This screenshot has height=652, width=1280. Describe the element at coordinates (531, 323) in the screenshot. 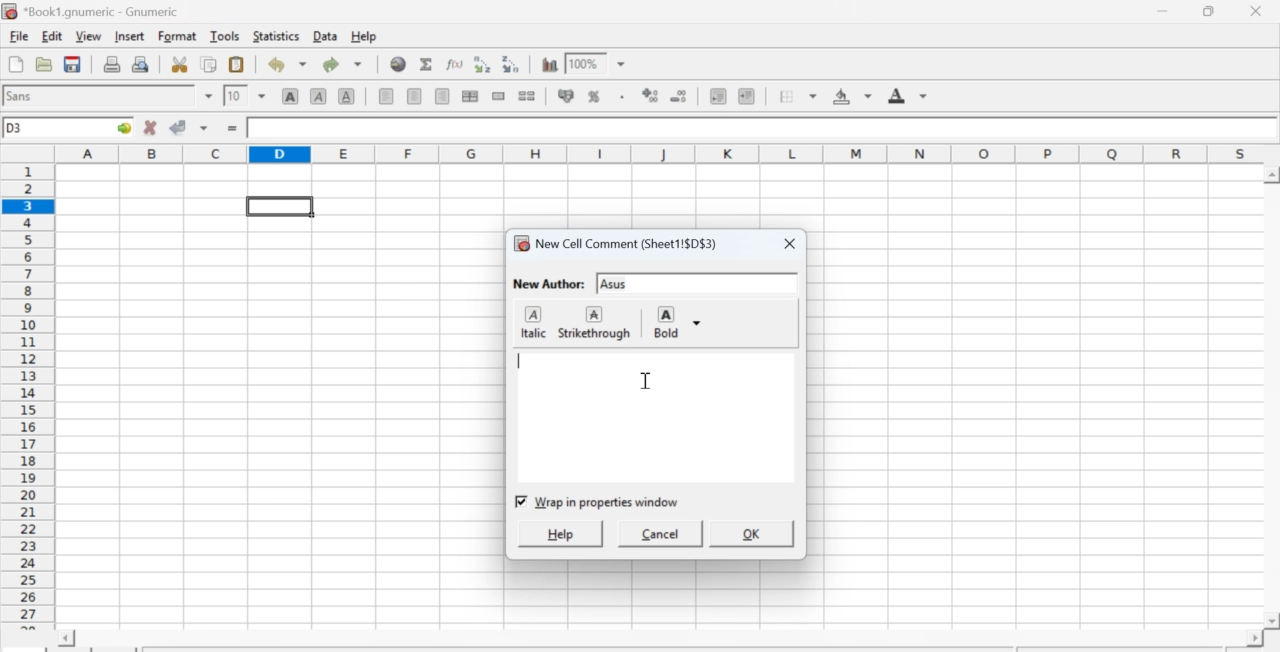

I see `italic` at that location.